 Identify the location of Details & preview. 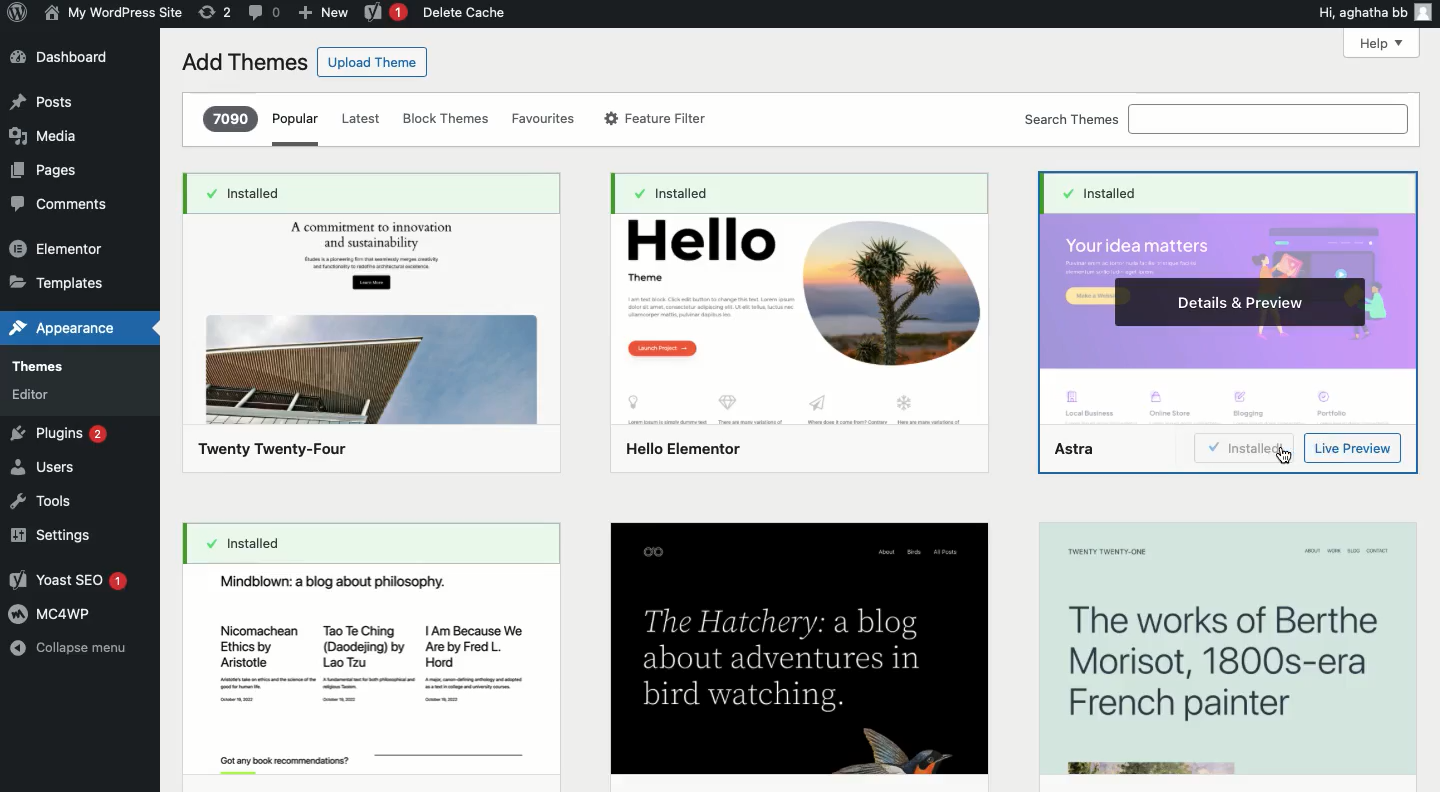
(1239, 303).